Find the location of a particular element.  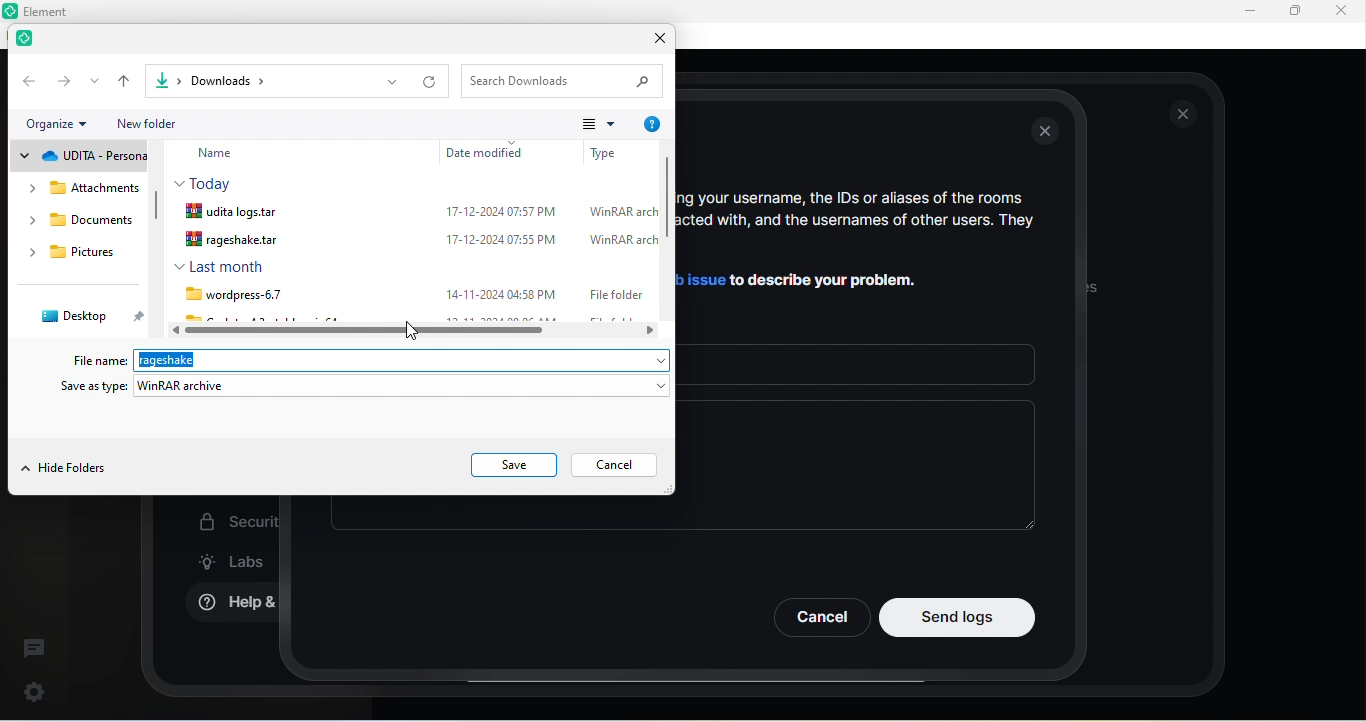

search is located at coordinates (566, 80).